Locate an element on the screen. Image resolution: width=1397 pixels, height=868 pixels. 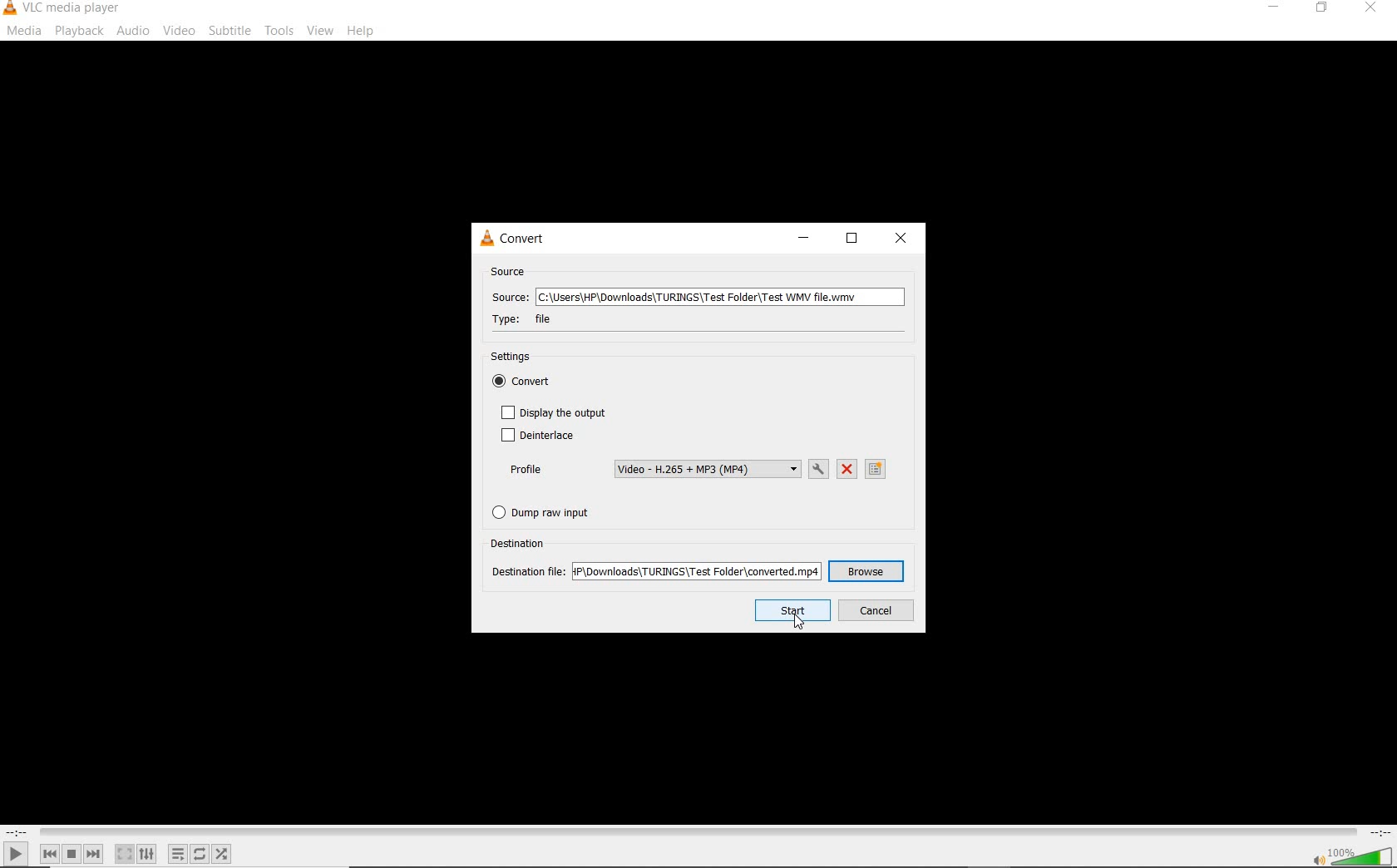
volume is located at coordinates (1362, 855).